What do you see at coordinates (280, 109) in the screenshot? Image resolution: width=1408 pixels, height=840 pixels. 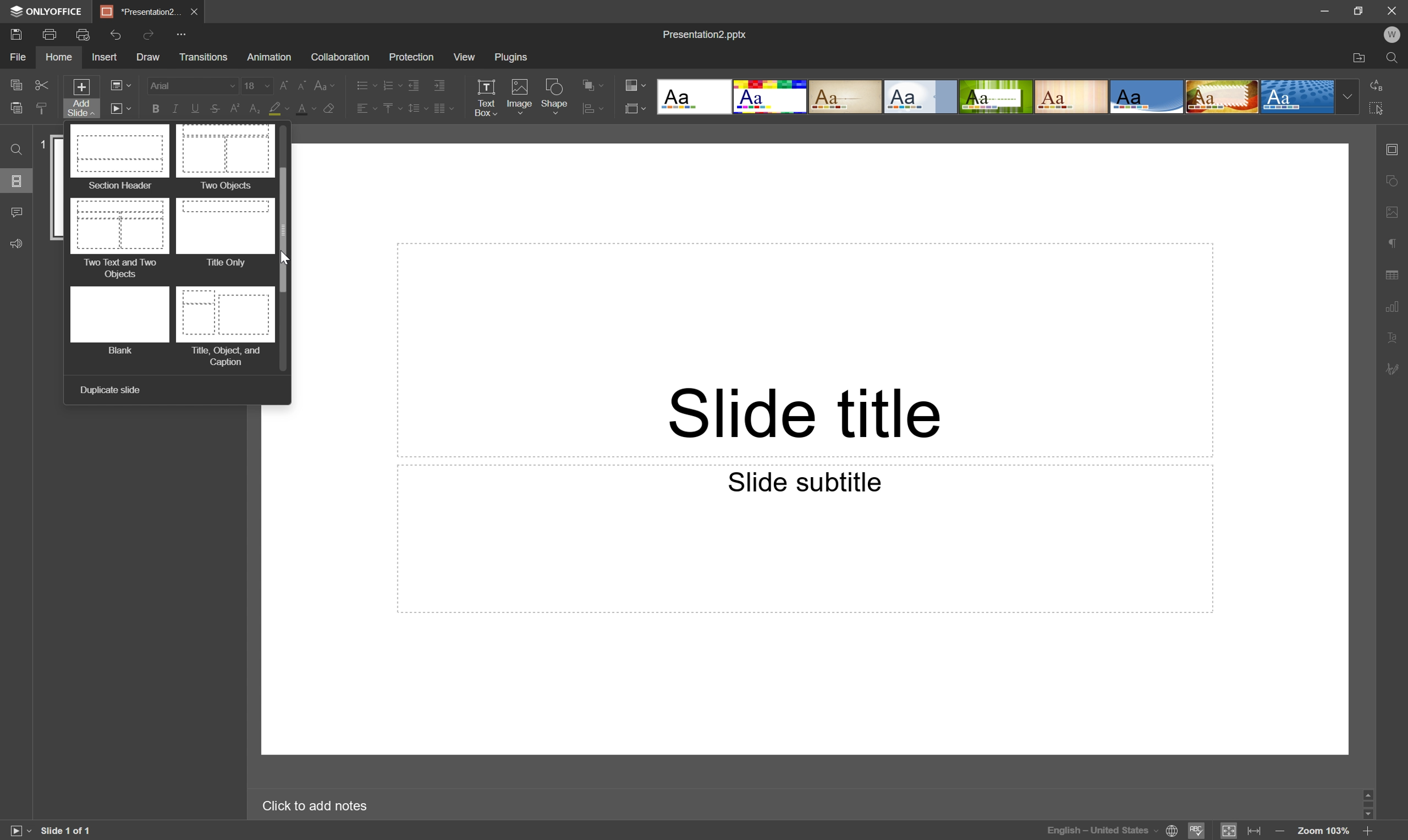 I see `Highlight color` at bounding box center [280, 109].